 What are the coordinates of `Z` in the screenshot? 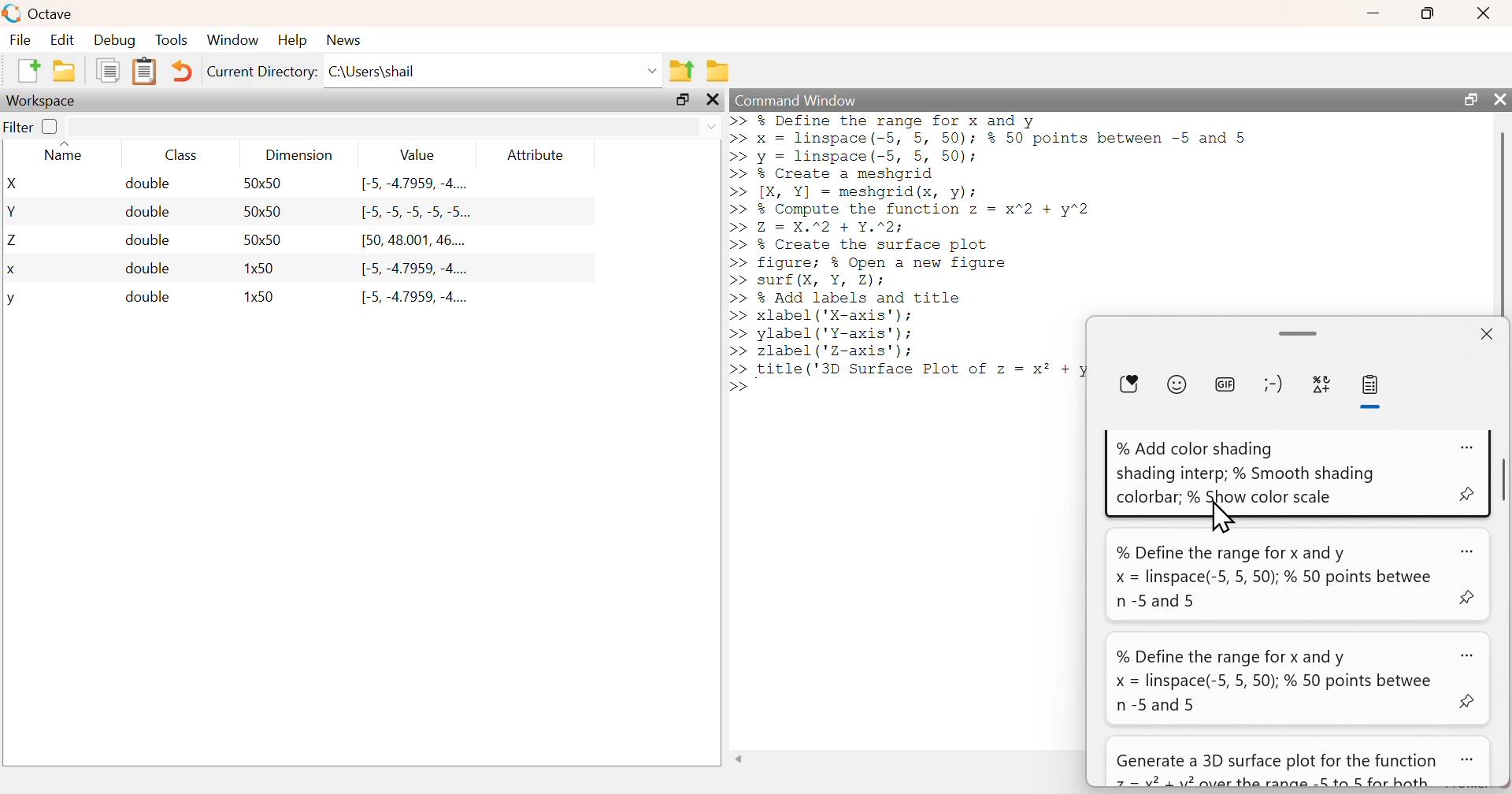 It's located at (14, 241).